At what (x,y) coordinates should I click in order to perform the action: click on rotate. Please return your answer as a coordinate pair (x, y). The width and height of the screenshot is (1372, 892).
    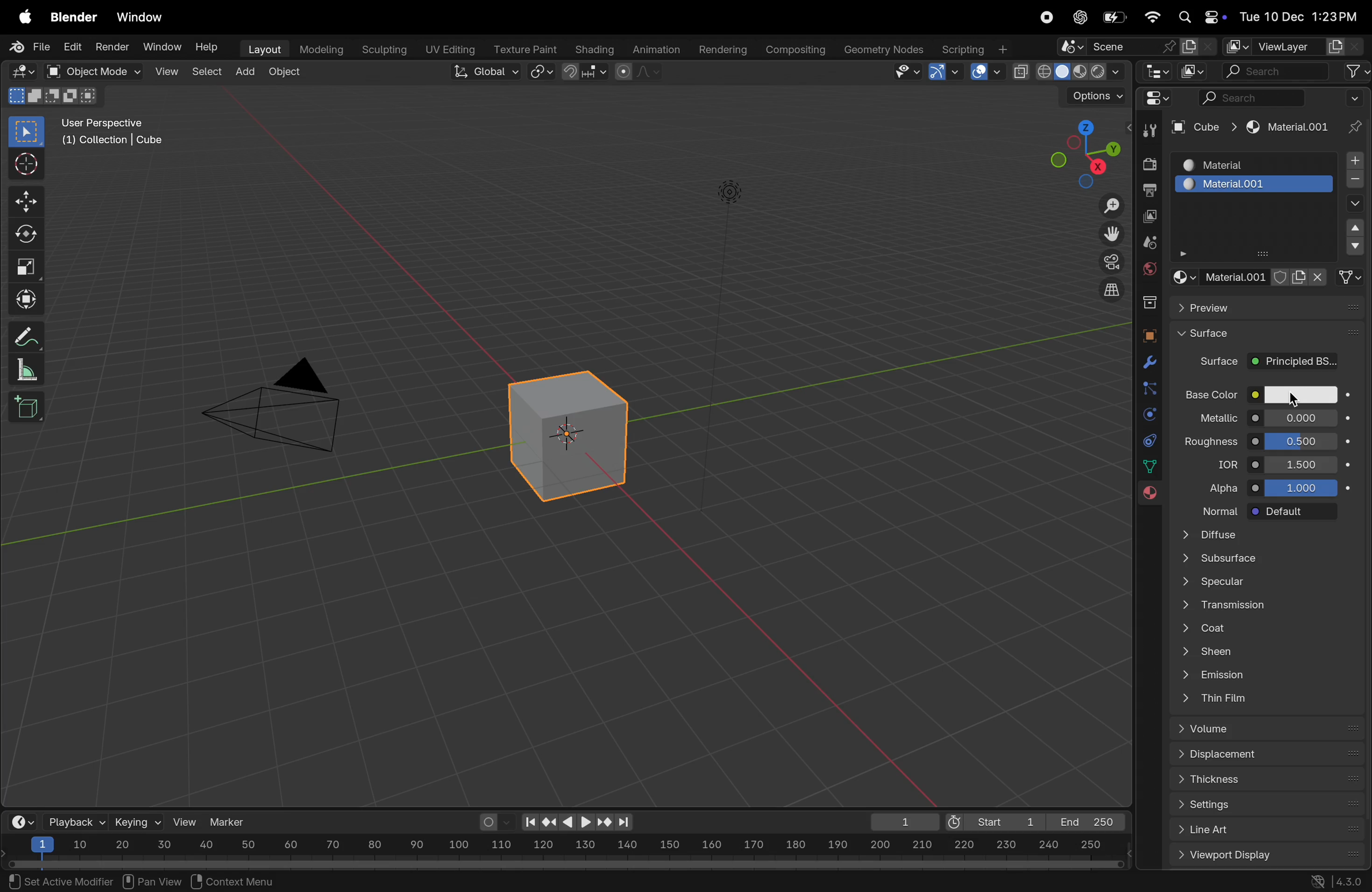
    Looking at the image, I should click on (24, 235).